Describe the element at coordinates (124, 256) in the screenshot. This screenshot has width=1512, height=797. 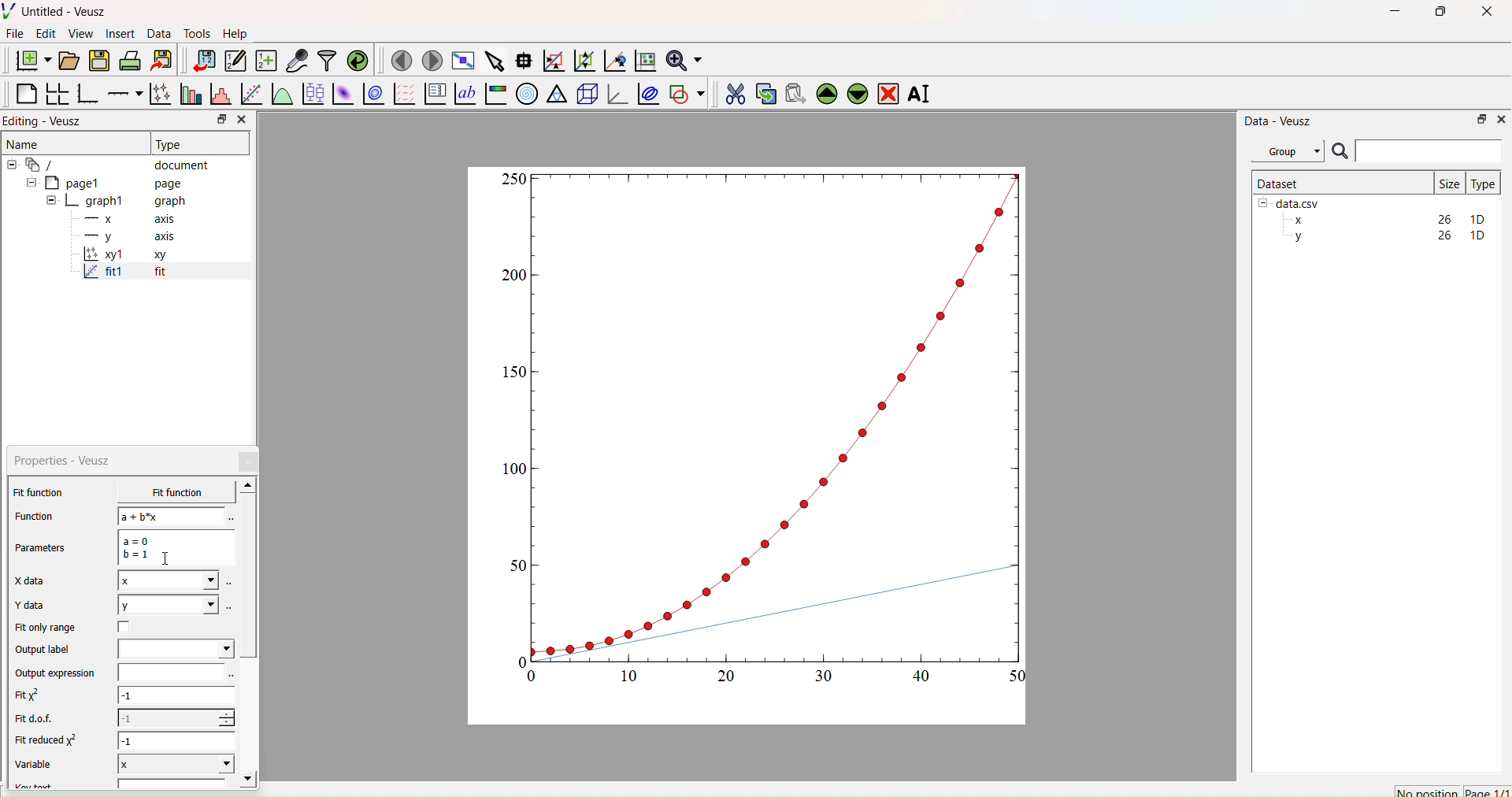
I see `x1 xy` at that location.